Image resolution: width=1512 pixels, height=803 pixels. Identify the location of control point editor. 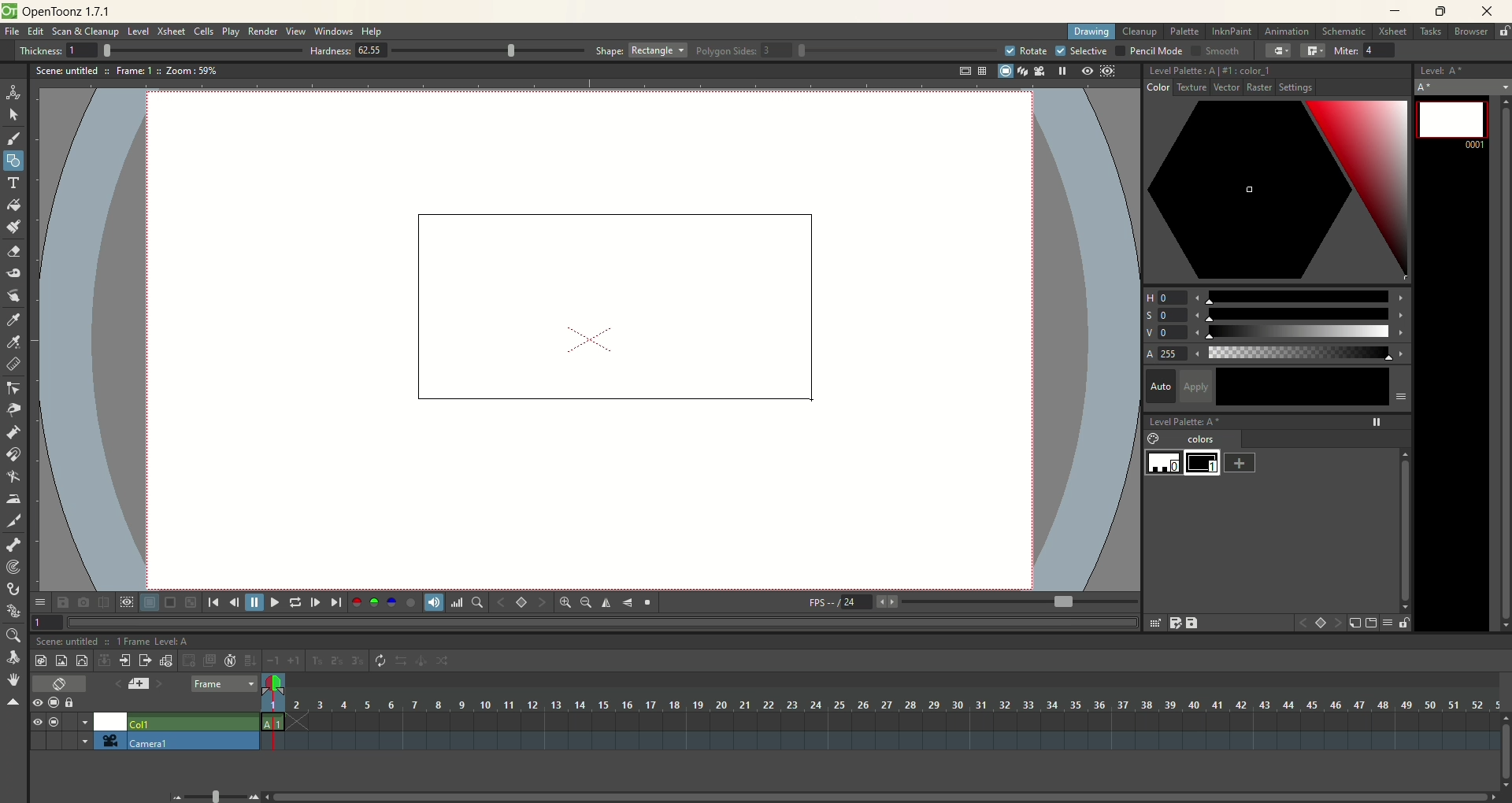
(14, 390).